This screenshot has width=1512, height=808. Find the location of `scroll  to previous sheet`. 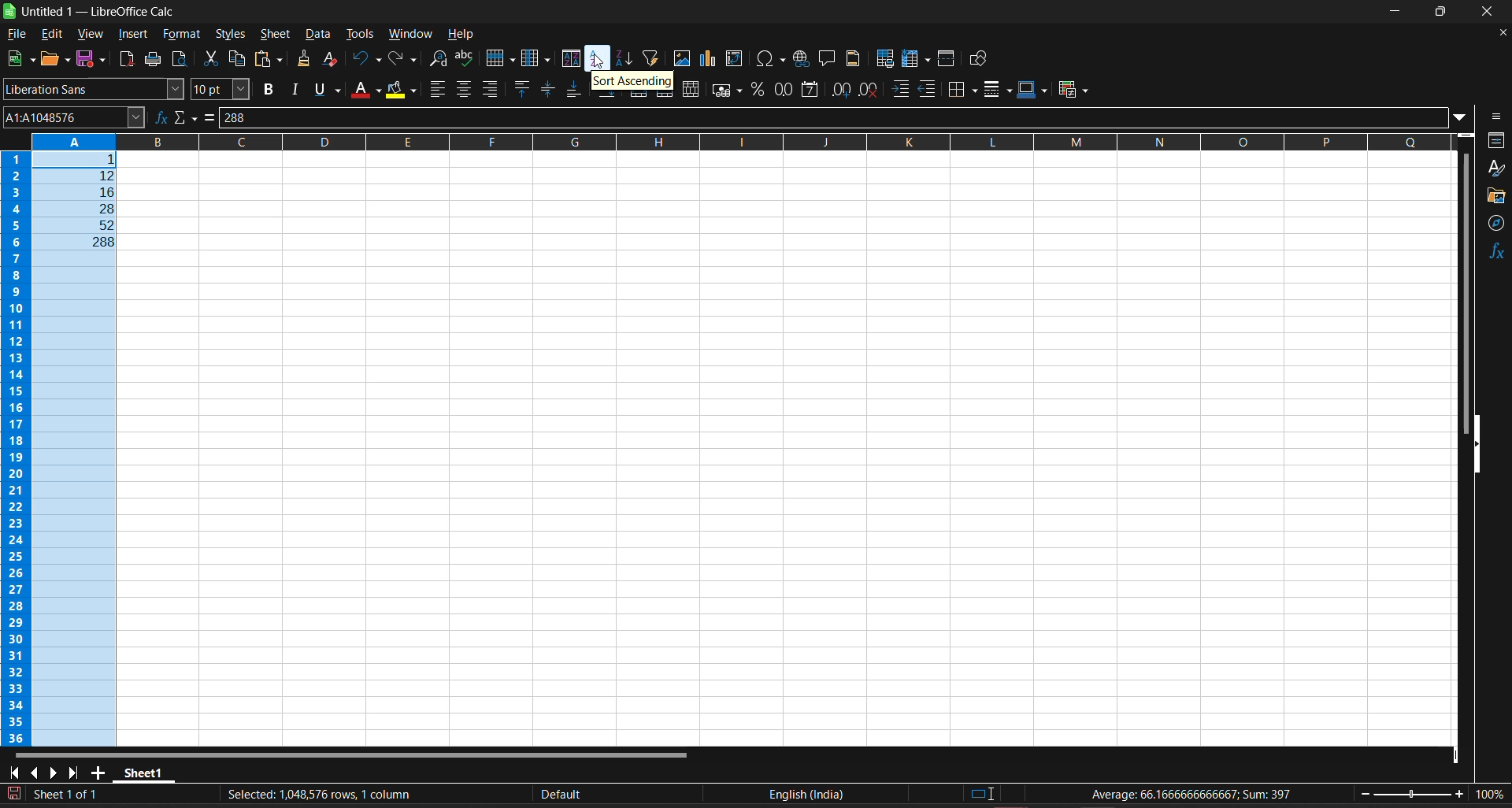

scroll  to previous sheet is located at coordinates (33, 770).